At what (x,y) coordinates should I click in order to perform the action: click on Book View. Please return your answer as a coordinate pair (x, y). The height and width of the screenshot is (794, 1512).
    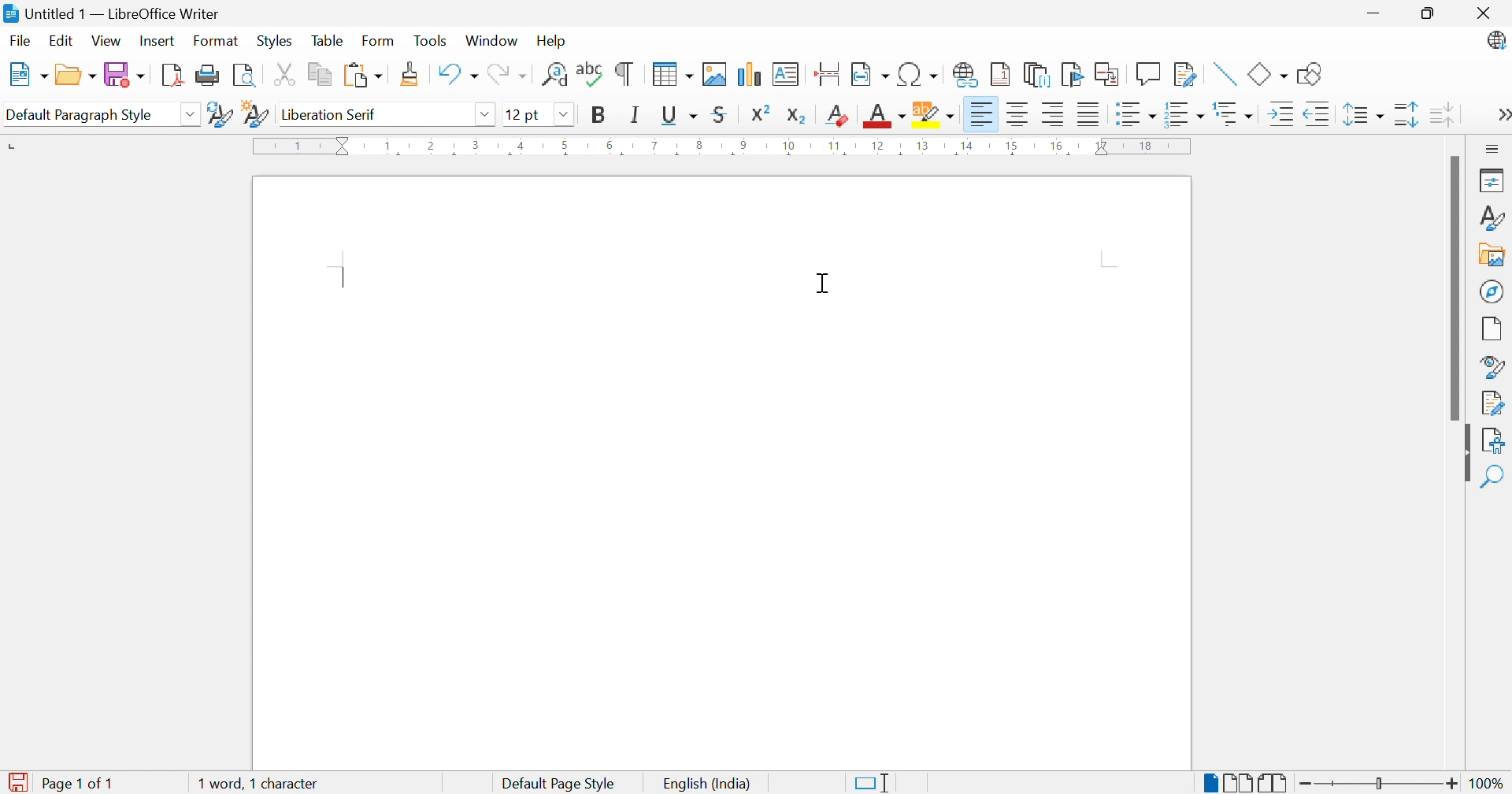
    Looking at the image, I should click on (1277, 781).